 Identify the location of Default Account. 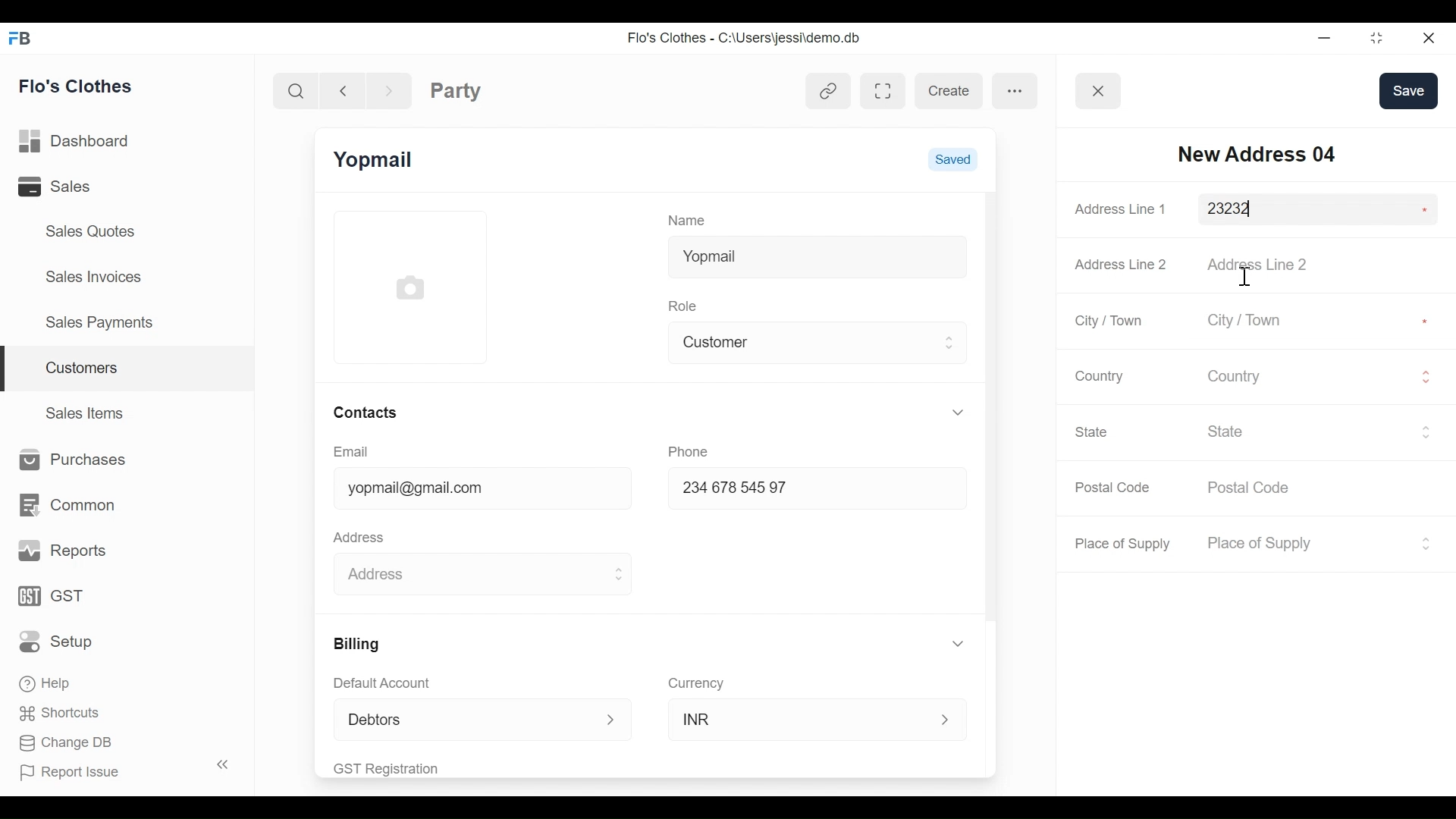
(392, 682).